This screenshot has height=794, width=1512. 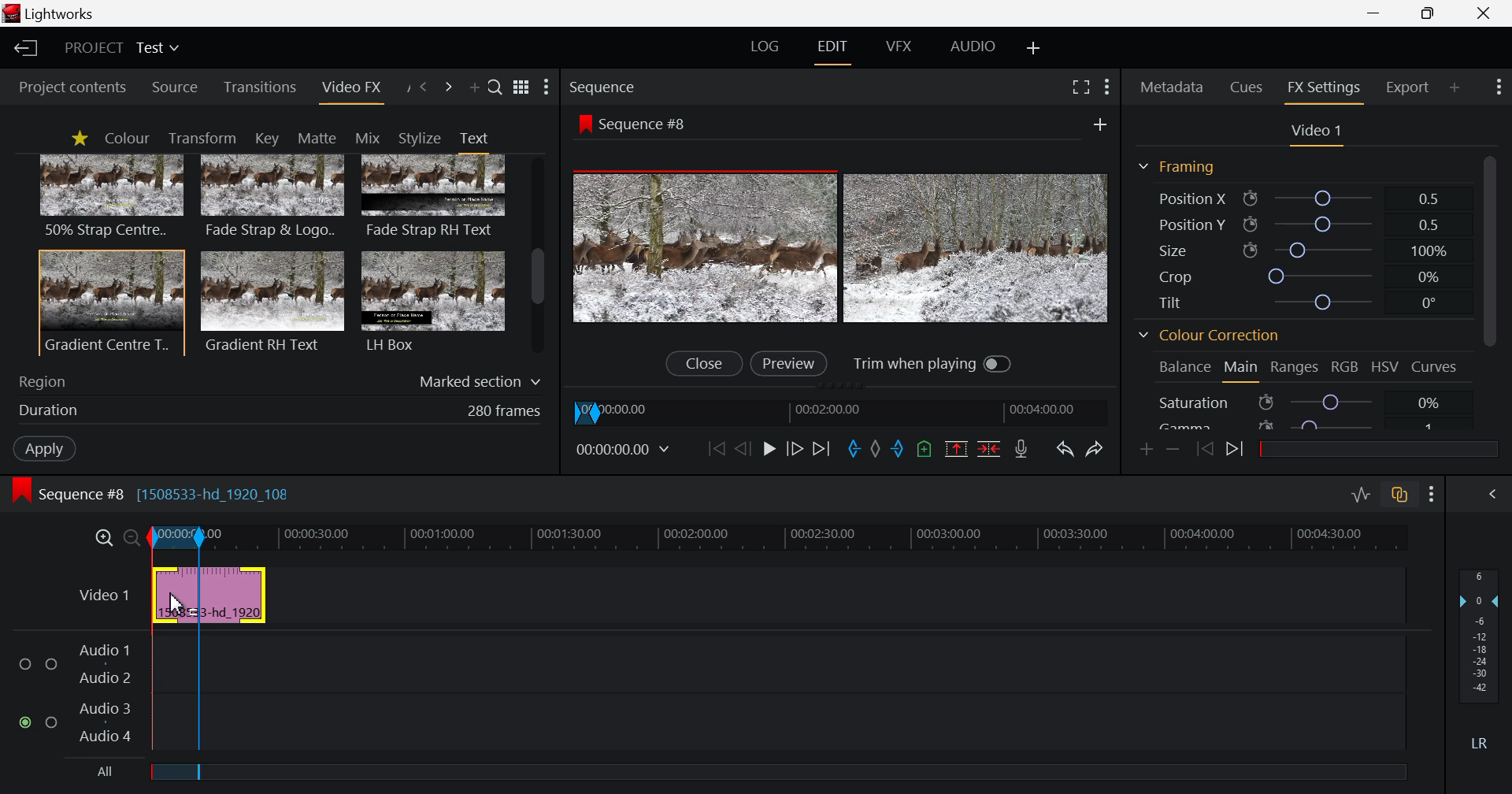 What do you see at coordinates (448, 87) in the screenshot?
I see `Next Panel` at bounding box center [448, 87].